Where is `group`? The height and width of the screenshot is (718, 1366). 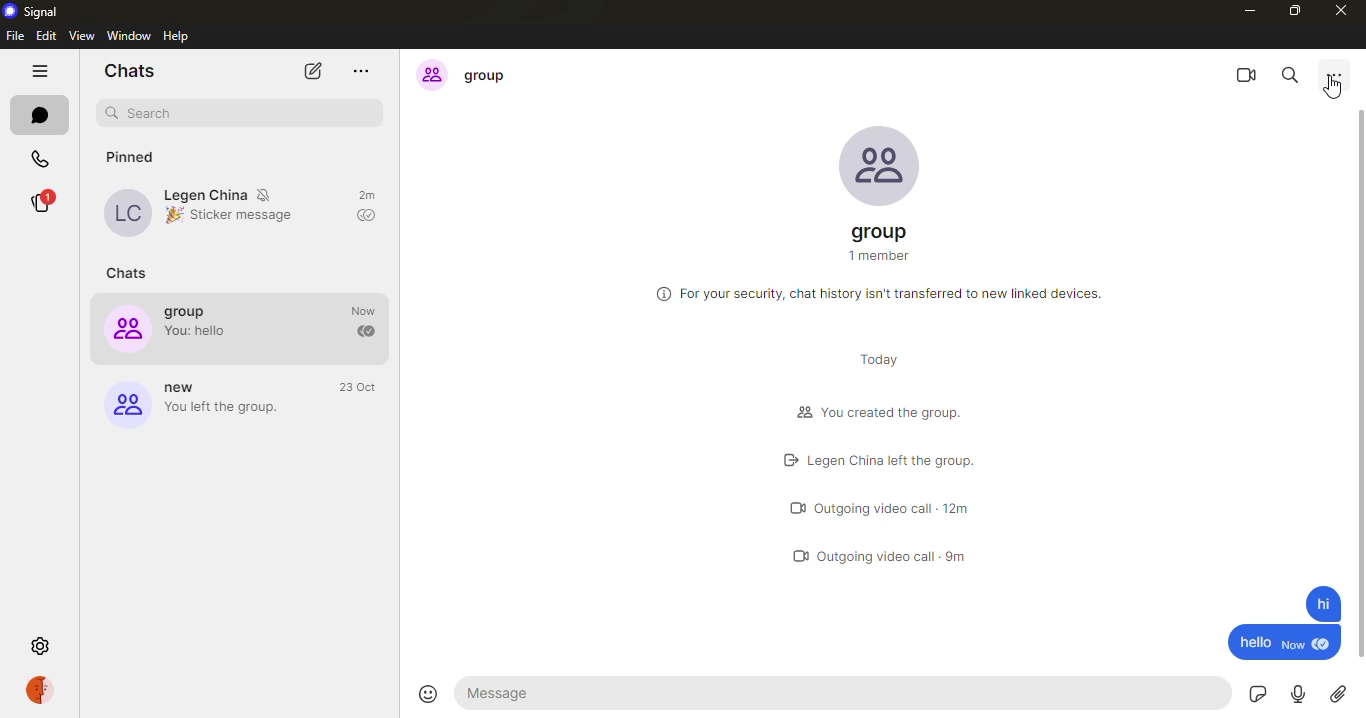 group is located at coordinates (882, 232).